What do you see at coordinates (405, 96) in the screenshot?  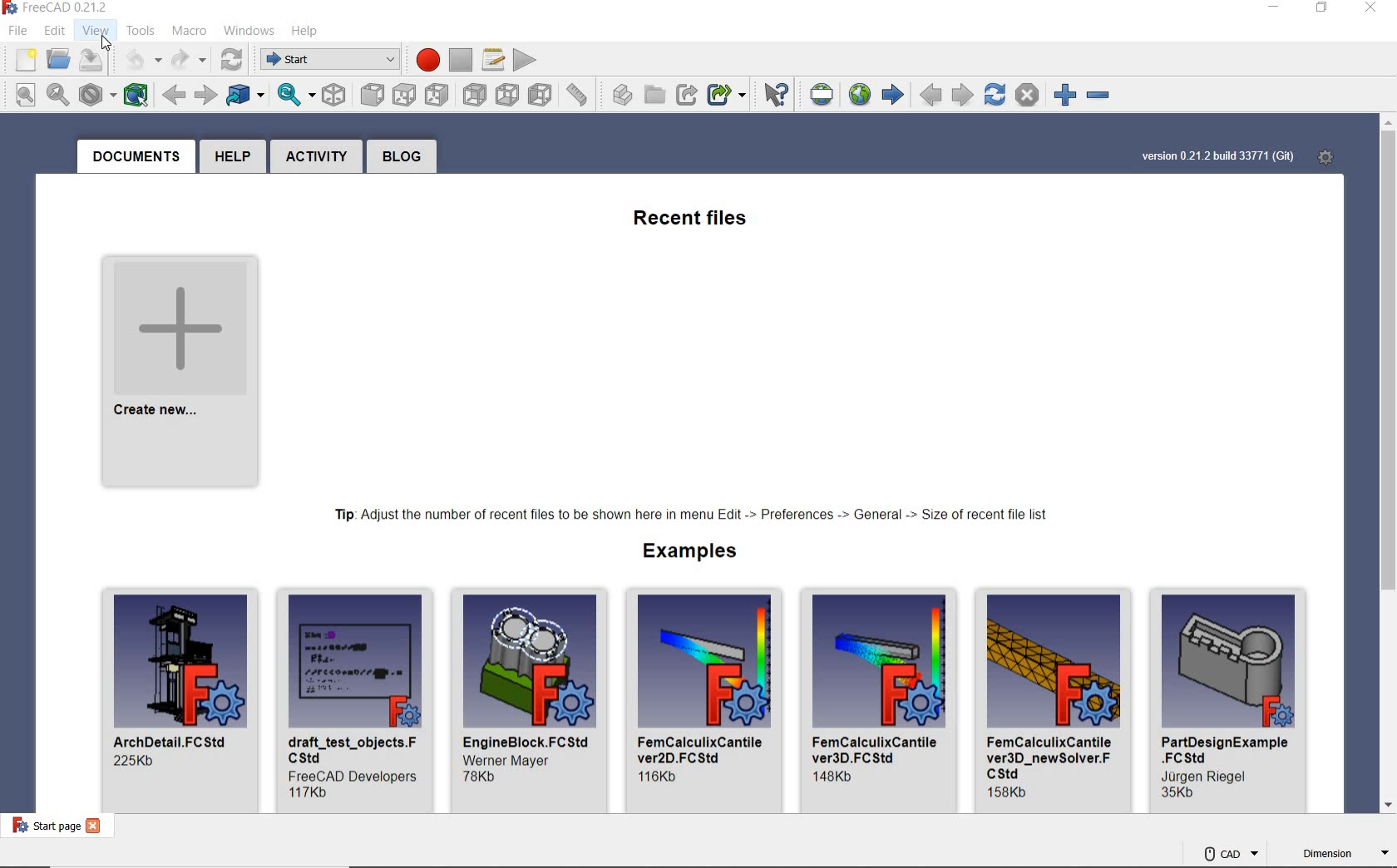 I see `top` at bounding box center [405, 96].